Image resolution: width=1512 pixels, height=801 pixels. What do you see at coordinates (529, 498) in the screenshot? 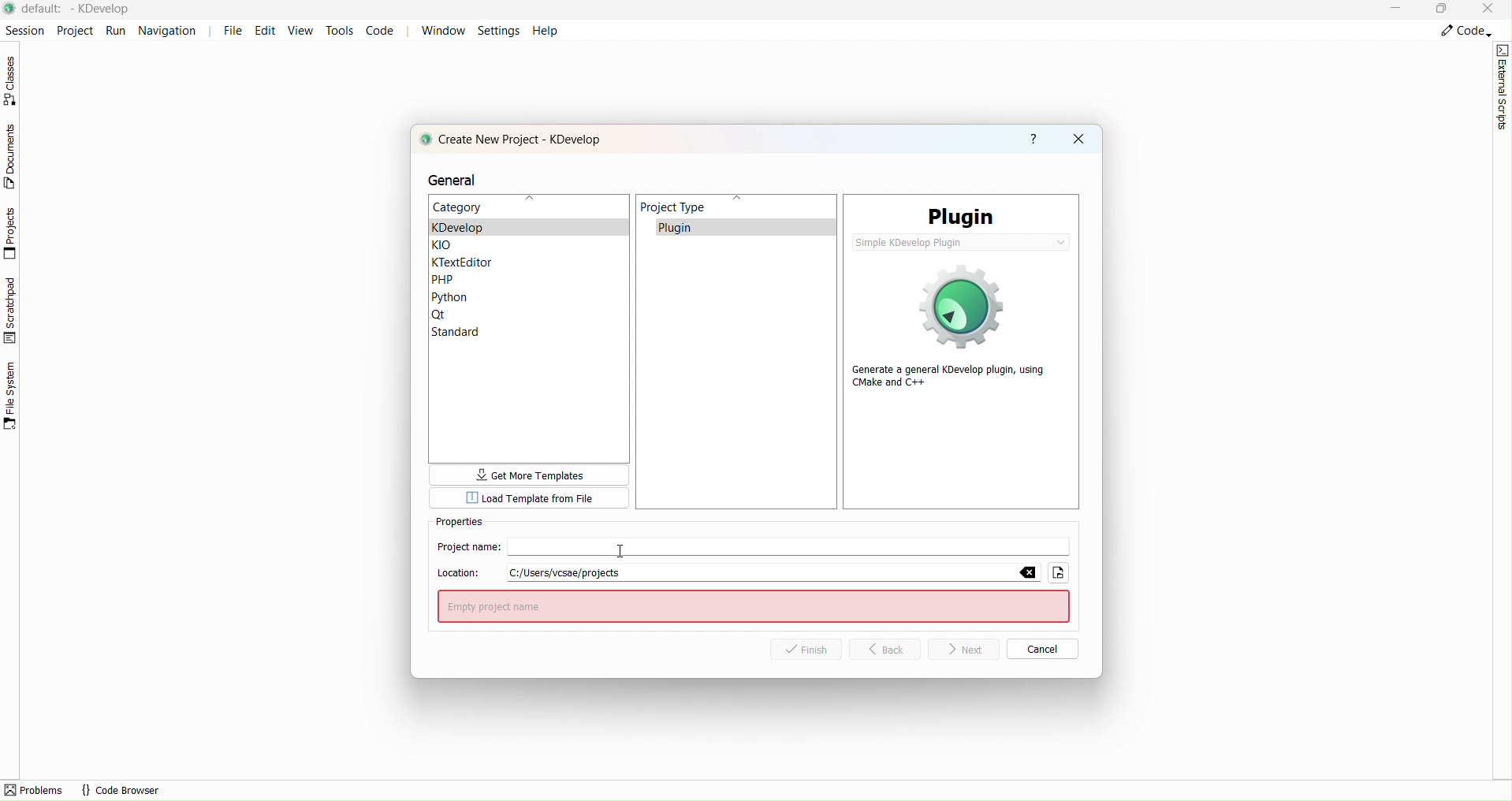
I see `Template from file` at bounding box center [529, 498].